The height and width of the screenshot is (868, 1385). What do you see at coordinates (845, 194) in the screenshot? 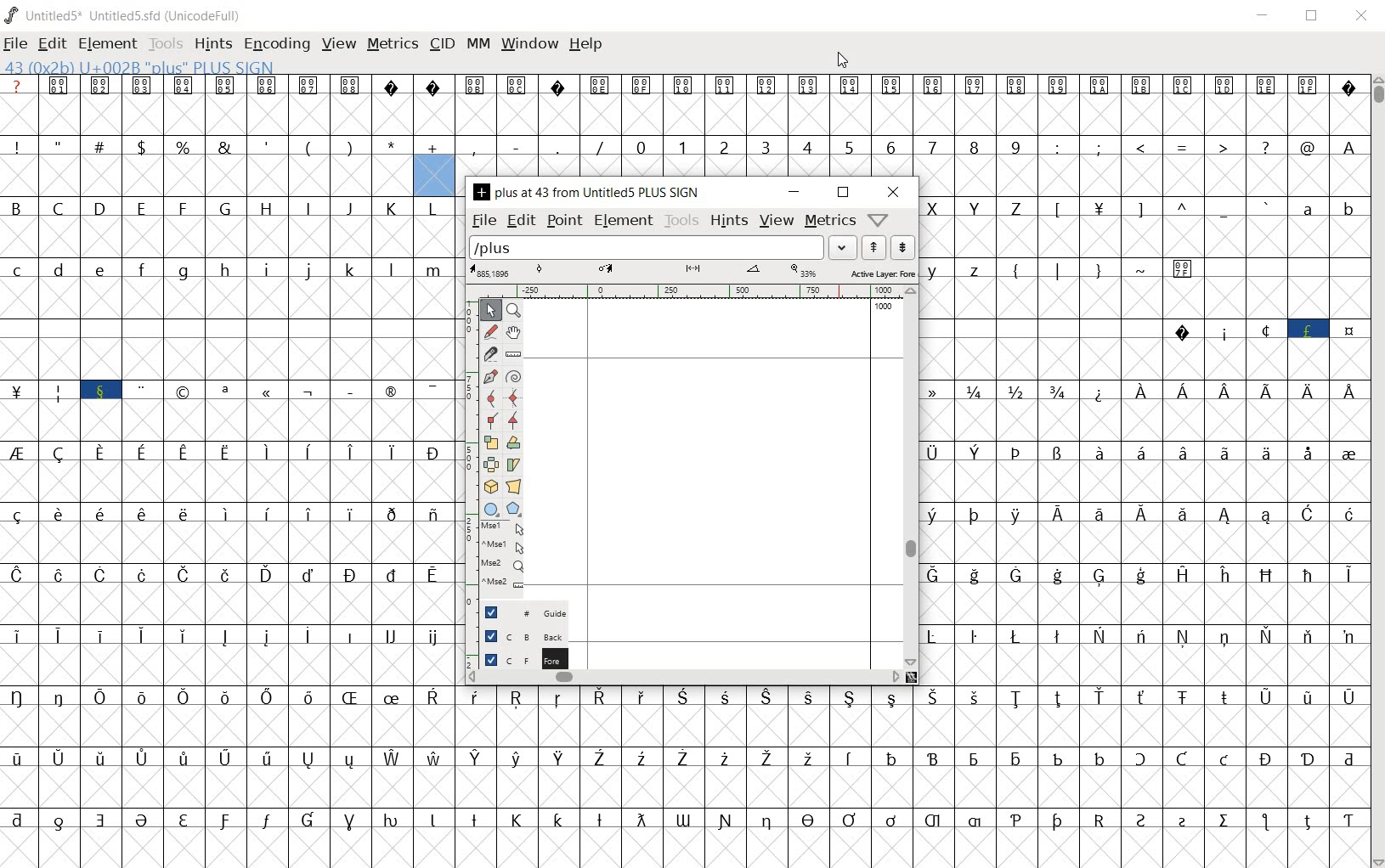
I see `restore` at bounding box center [845, 194].